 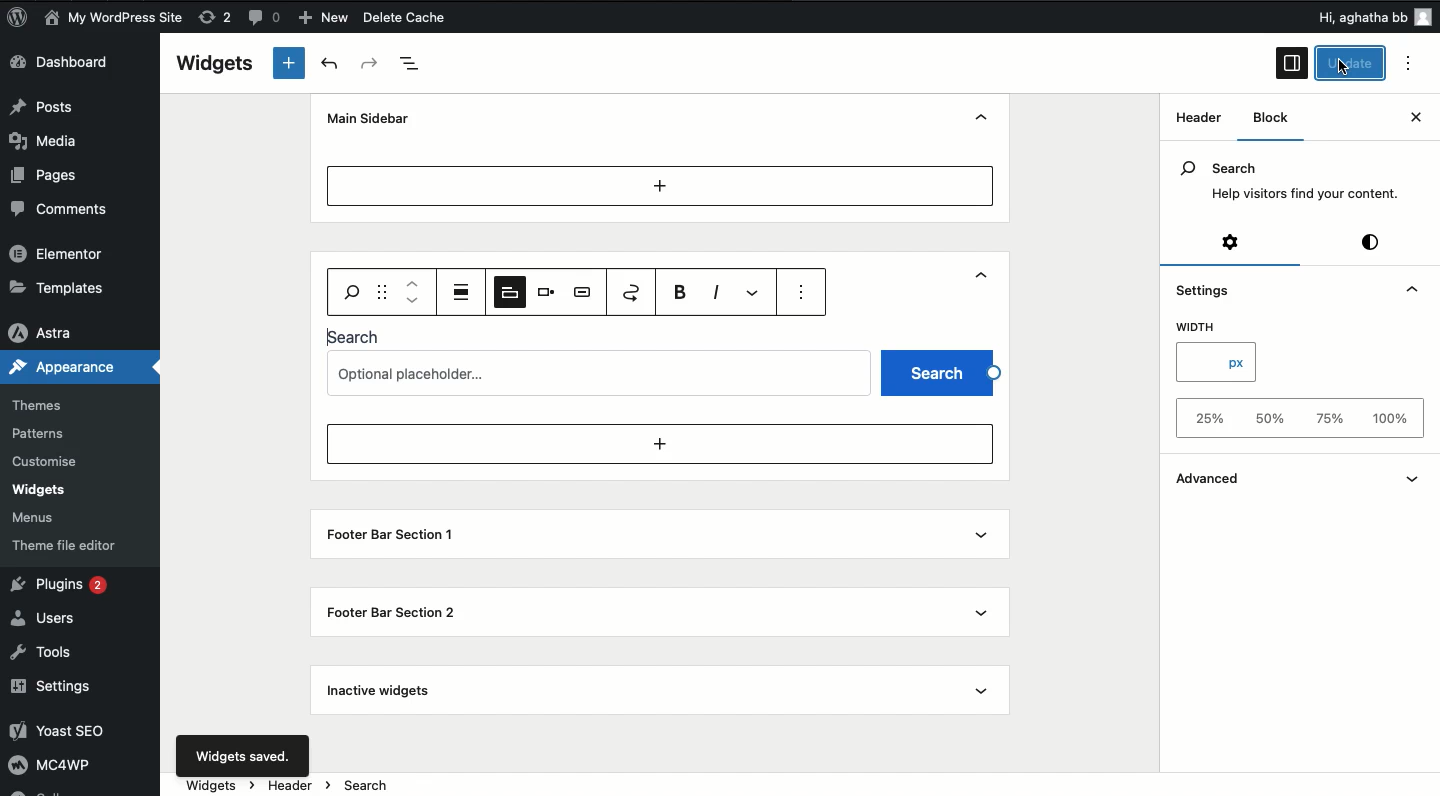 I want to click on Bold, so click(x=683, y=292).